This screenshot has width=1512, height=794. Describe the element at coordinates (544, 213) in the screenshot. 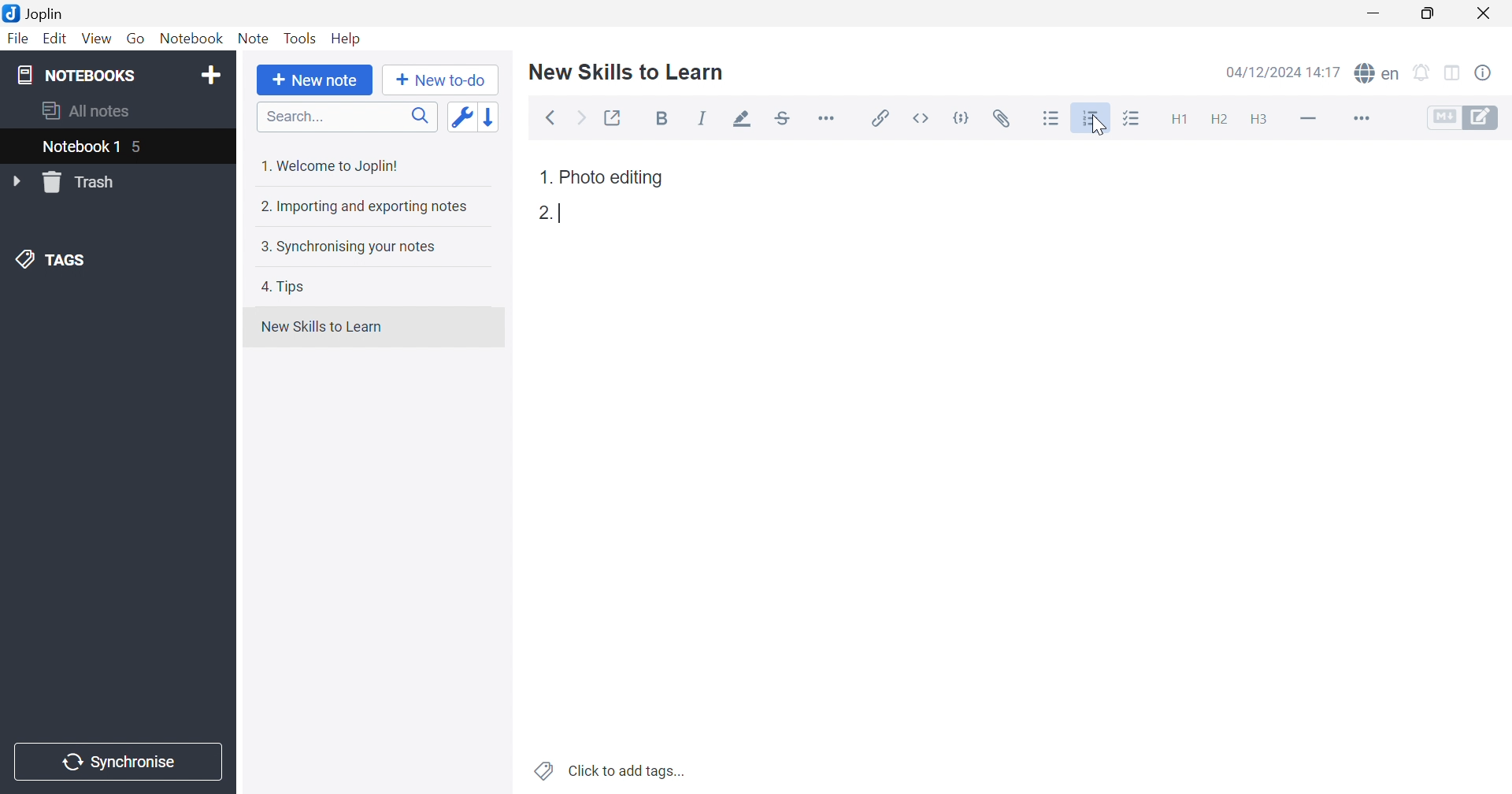

I see `2.` at that location.